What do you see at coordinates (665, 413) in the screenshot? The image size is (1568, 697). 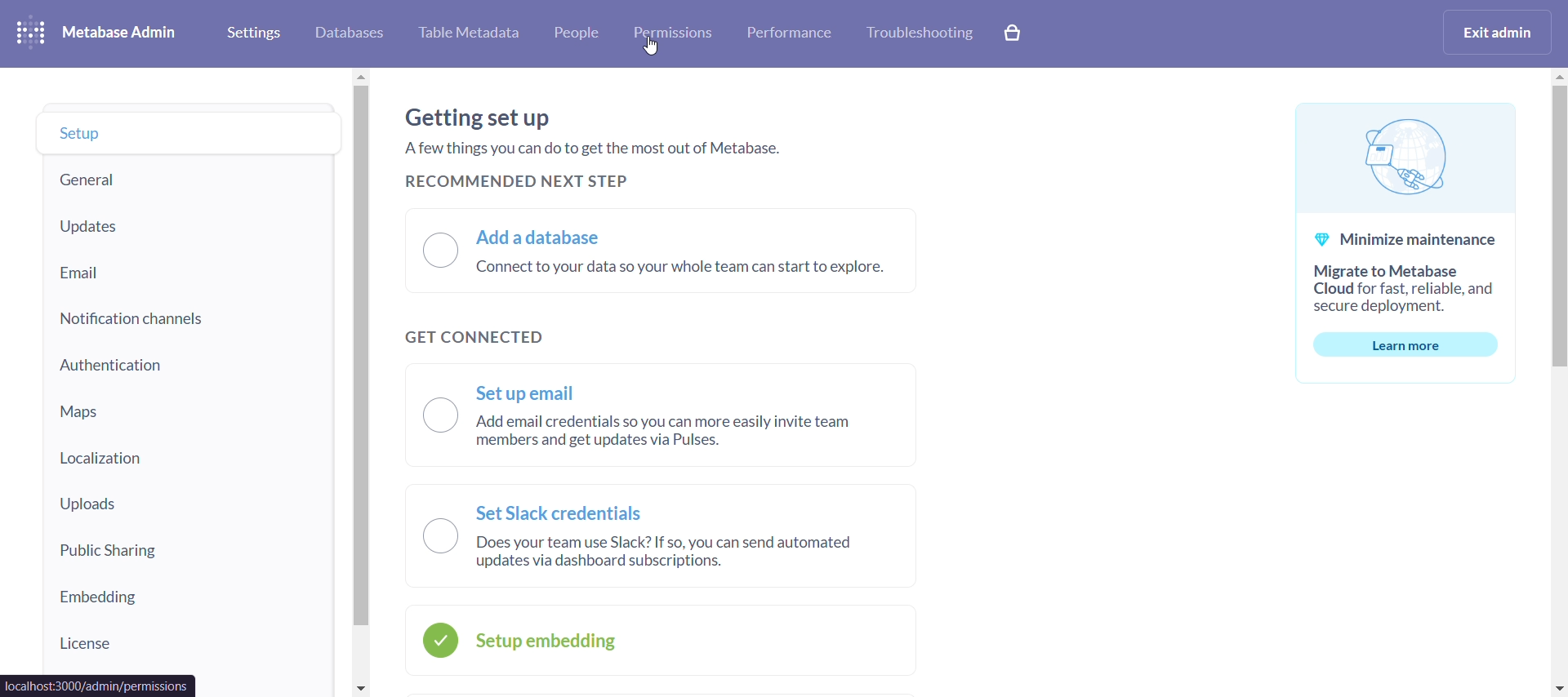 I see `set up email` at bounding box center [665, 413].